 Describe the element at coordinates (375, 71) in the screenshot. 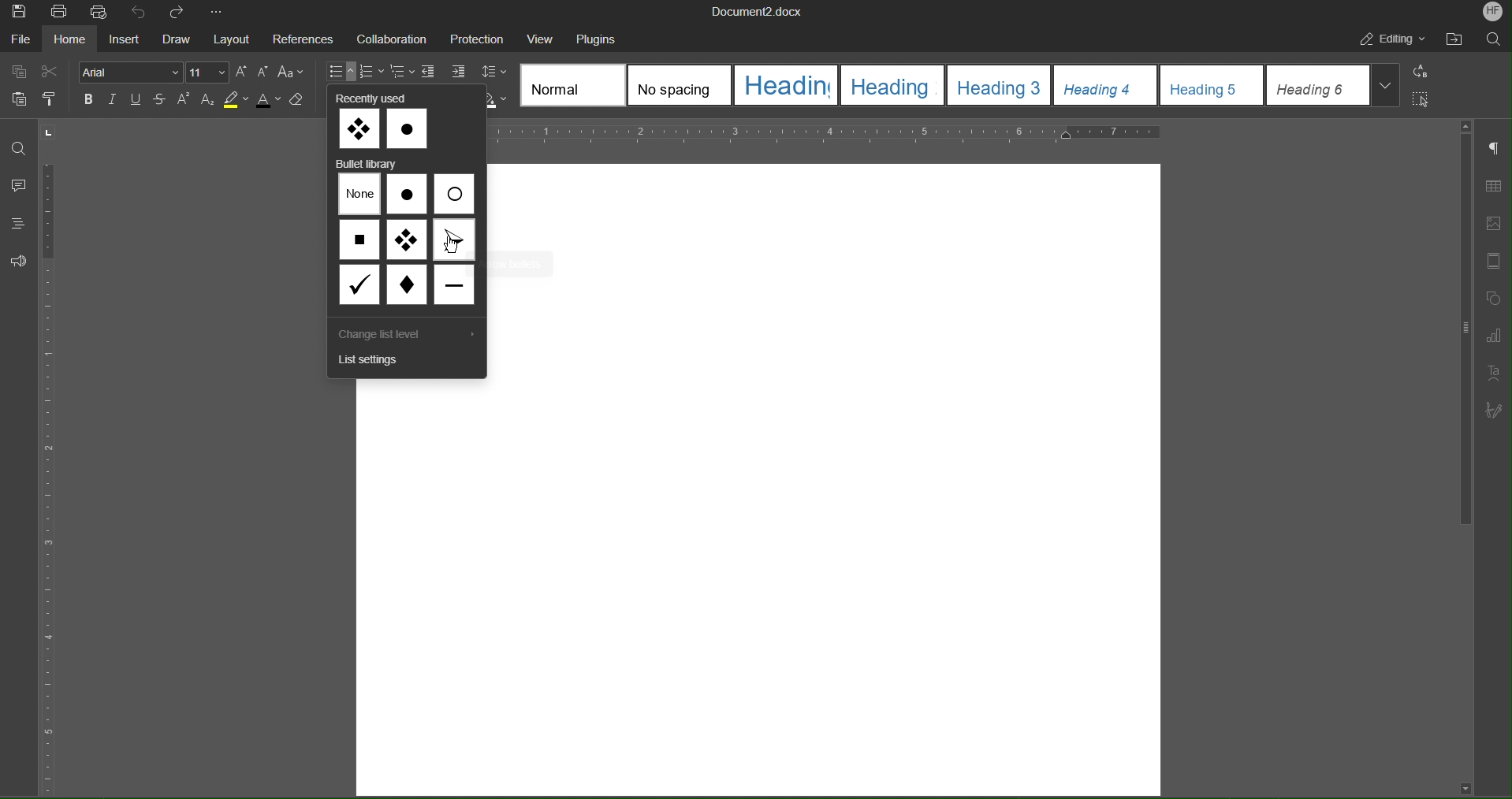

I see `Numbered List` at that location.